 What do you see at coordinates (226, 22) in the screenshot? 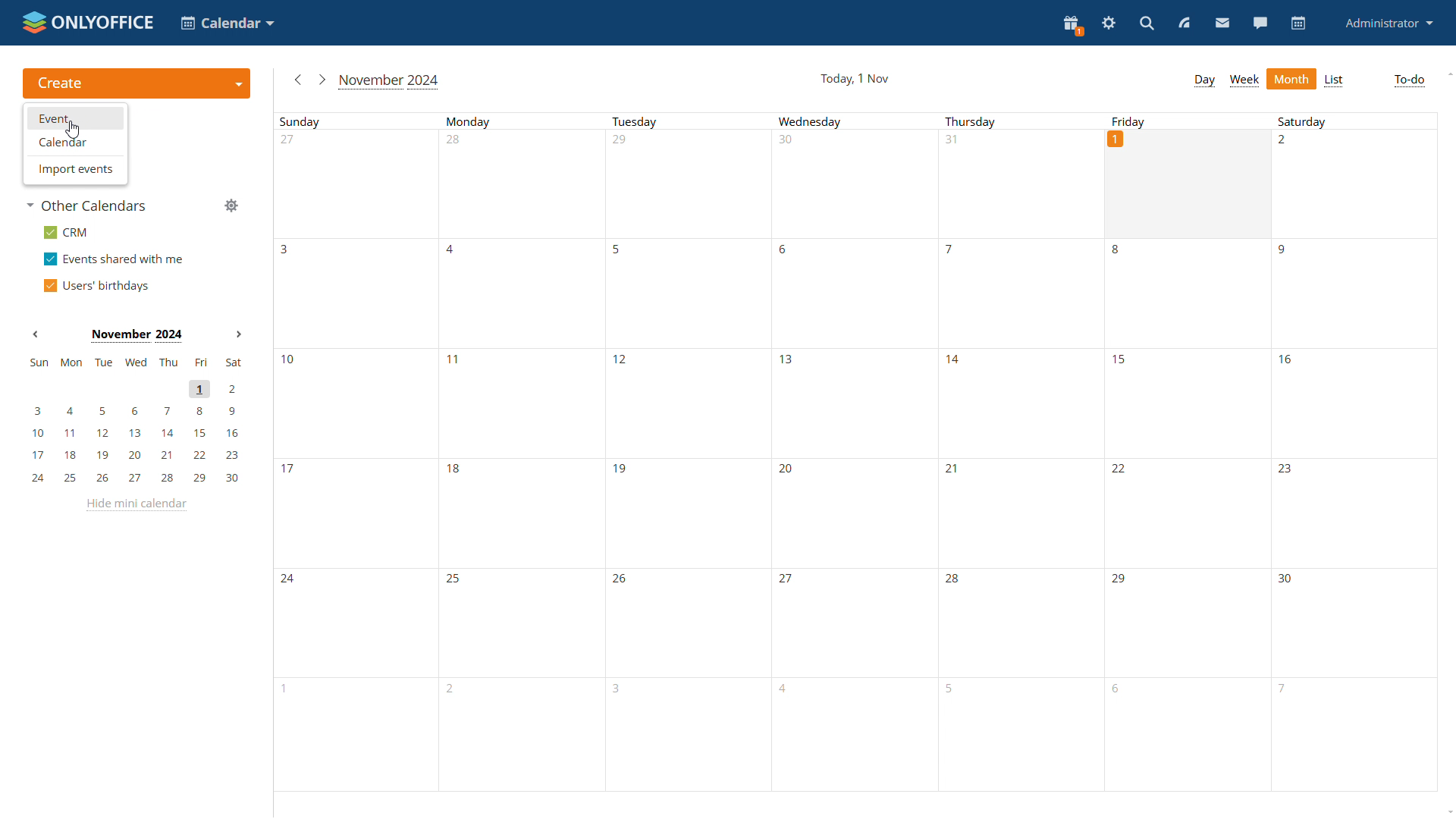
I see `select application` at bounding box center [226, 22].